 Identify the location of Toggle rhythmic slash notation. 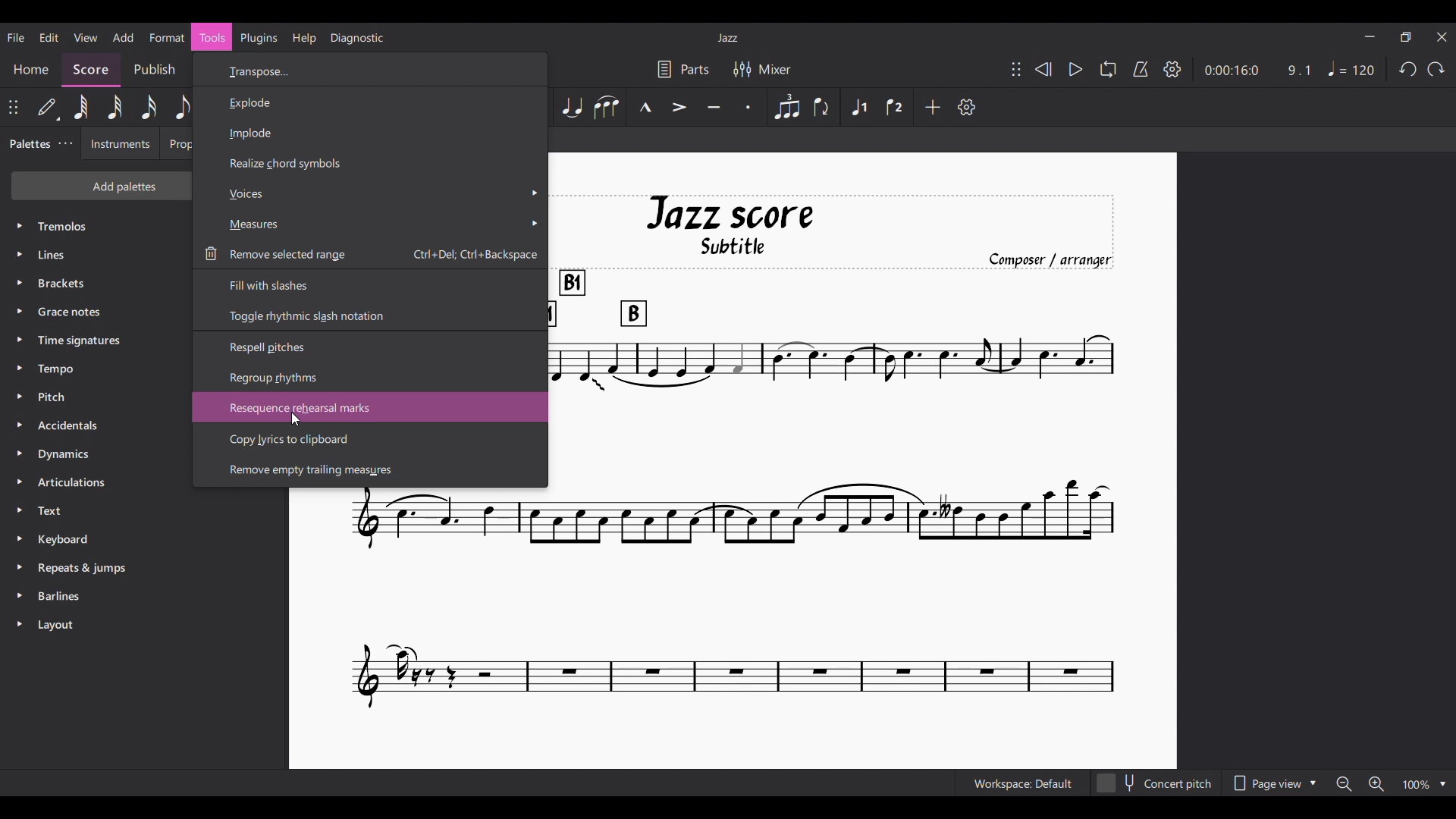
(369, 316).